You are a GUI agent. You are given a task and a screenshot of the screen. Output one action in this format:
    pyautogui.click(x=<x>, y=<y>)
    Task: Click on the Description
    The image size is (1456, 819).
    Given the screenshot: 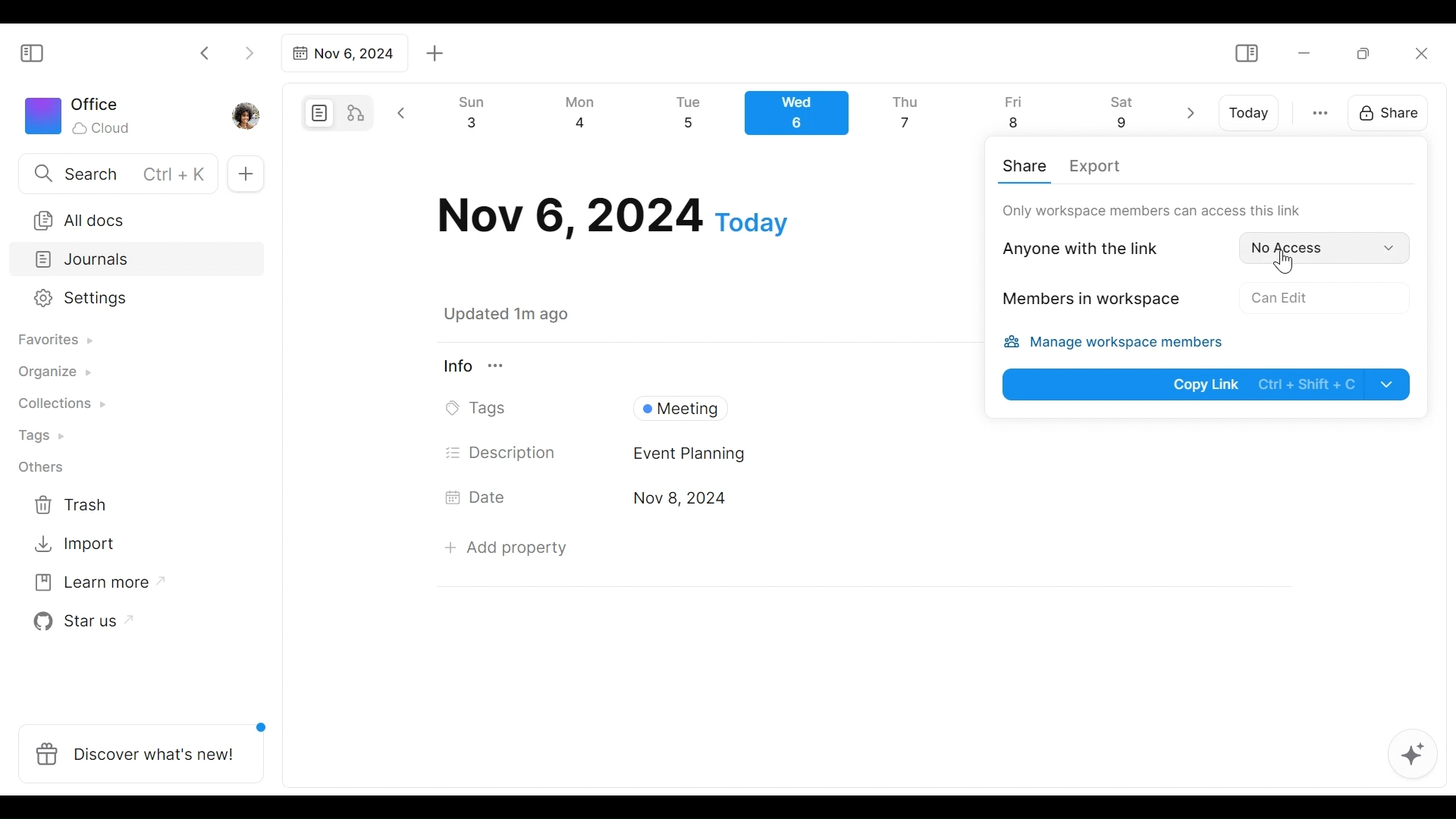 What is the action you would take?
    pyautogui.click(x=502, y=453)
    